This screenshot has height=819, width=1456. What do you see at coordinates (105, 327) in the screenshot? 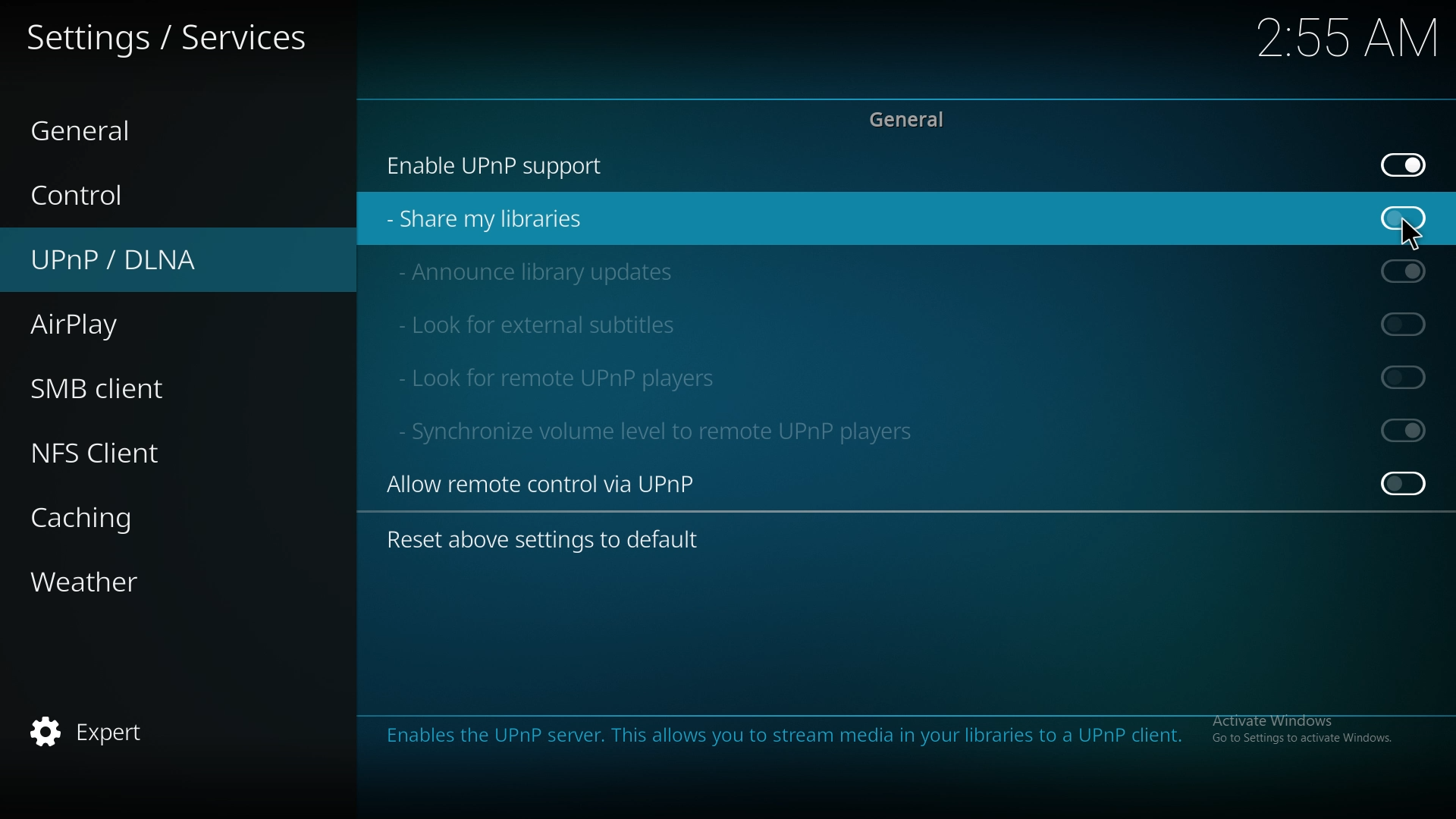
I see `airplay` at bounding box center [105, 327].